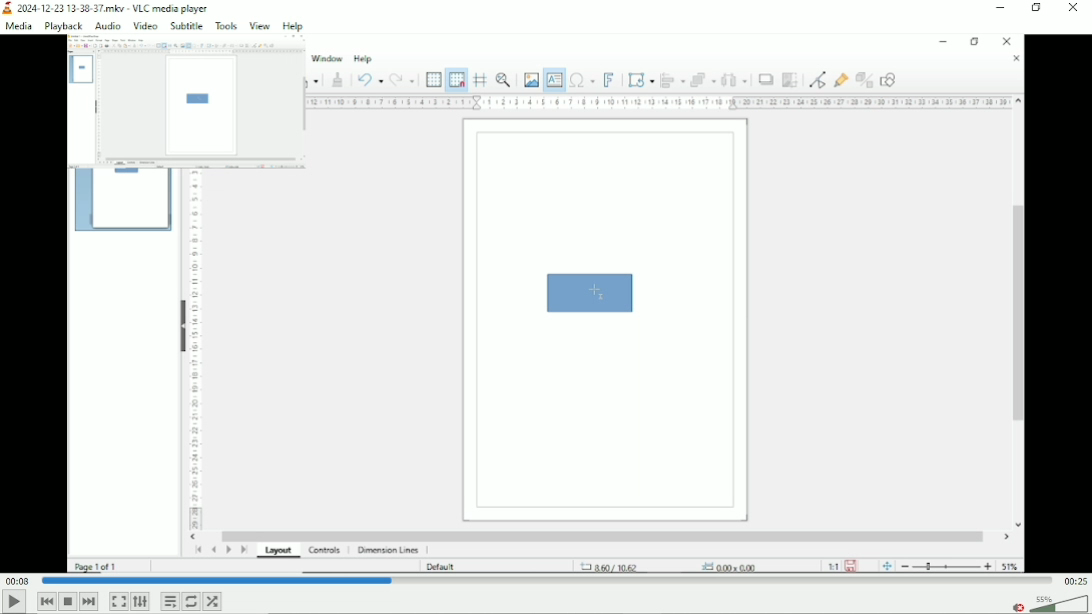 The height and width of the screenshot is (614, 1092). What do you see at coordinates (18, 25) in the screenshot?
I see `Media` at bounding box center [18, 25].